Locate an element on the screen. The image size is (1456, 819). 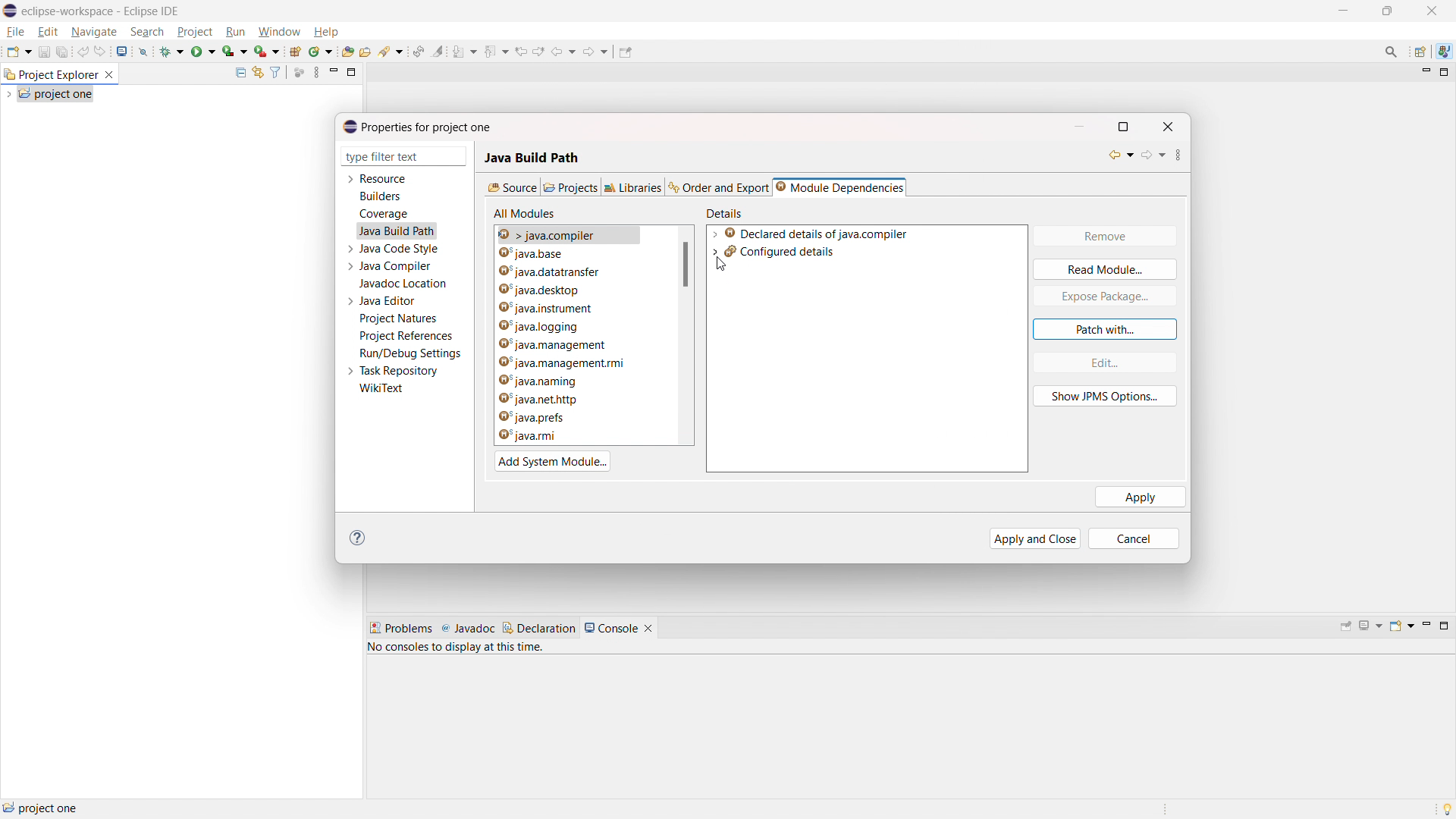
previous annotation is located at coordinates (495, 50).